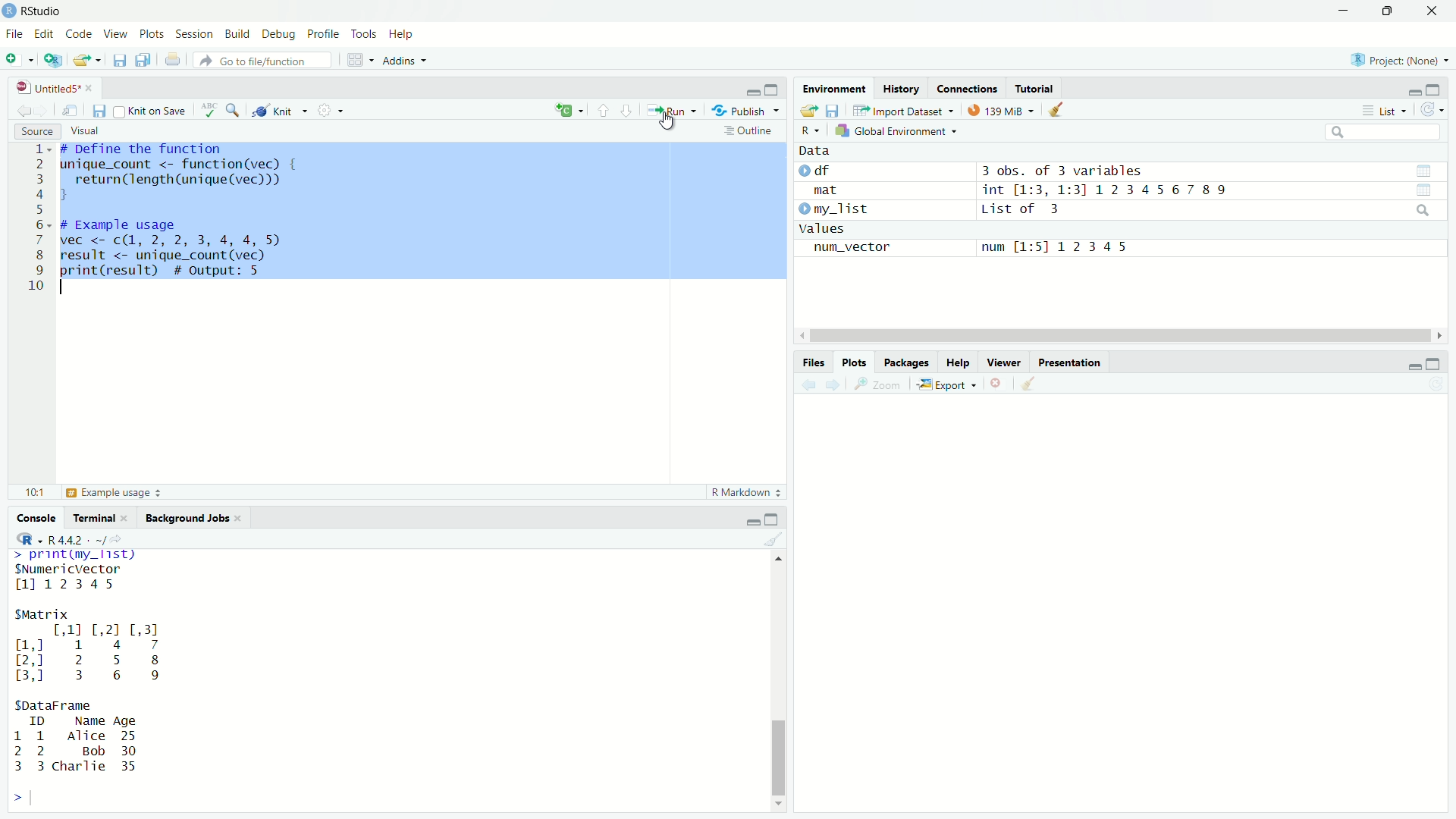 This screenshot has height=819, width=1456. Describe the element at coordinates (895, 131) in the screenshot. I see `Global Environment` at that location.